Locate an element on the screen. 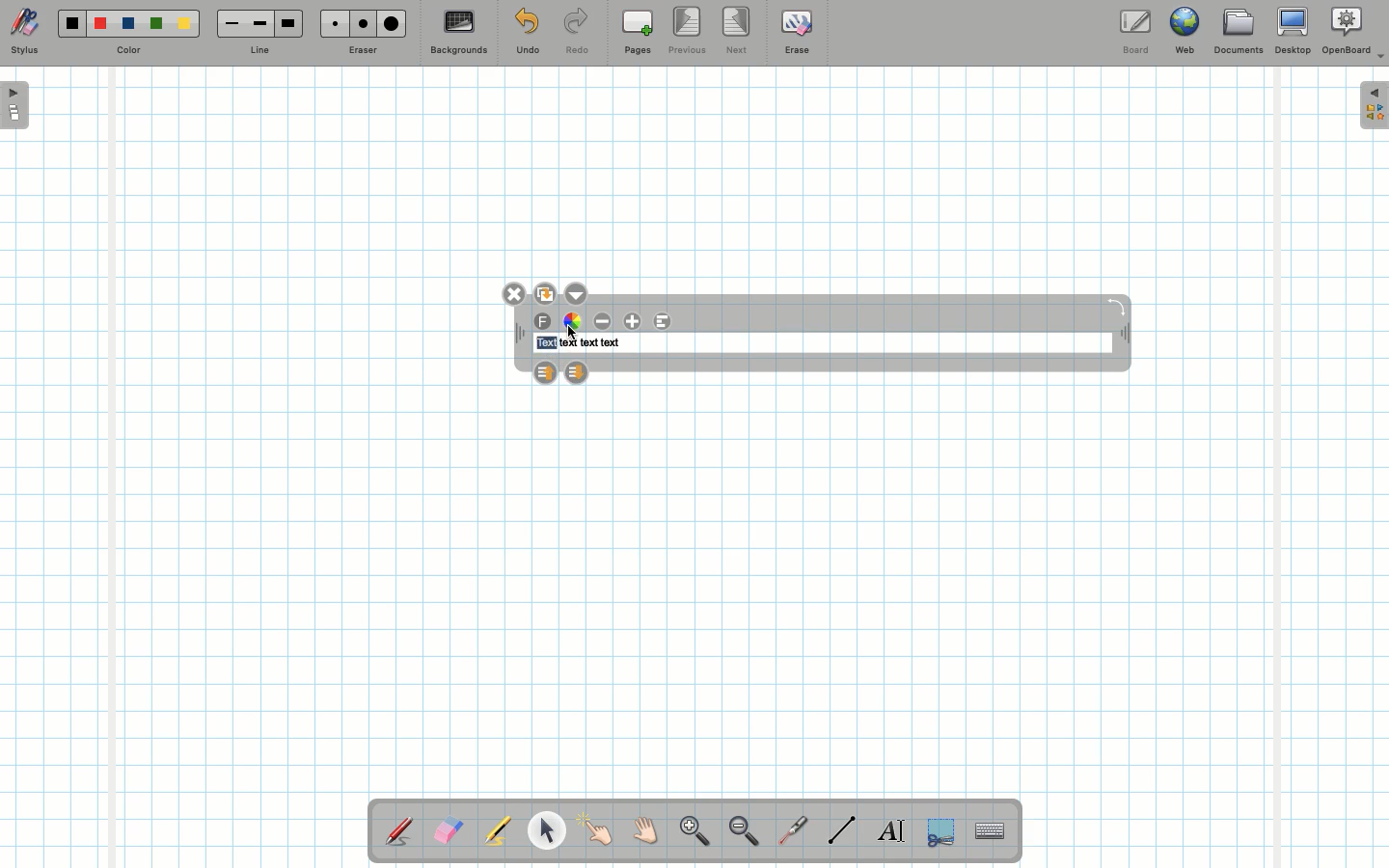 This screenshot has width=1389, height=868. Decrease font size is located at coordinates (604, 321).